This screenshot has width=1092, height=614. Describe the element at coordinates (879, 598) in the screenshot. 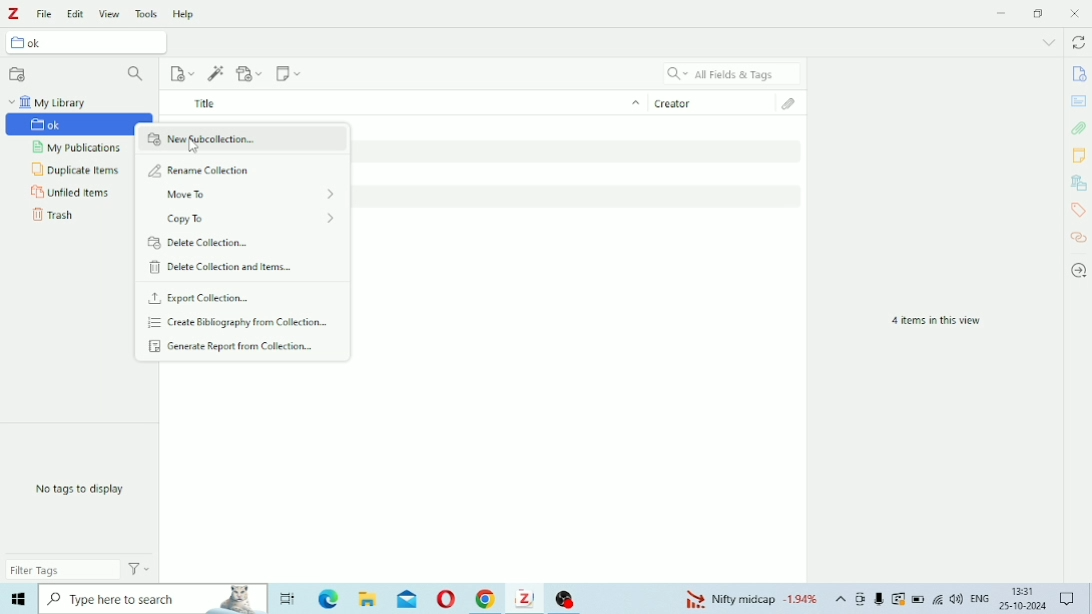

I see `Mic` at that location.